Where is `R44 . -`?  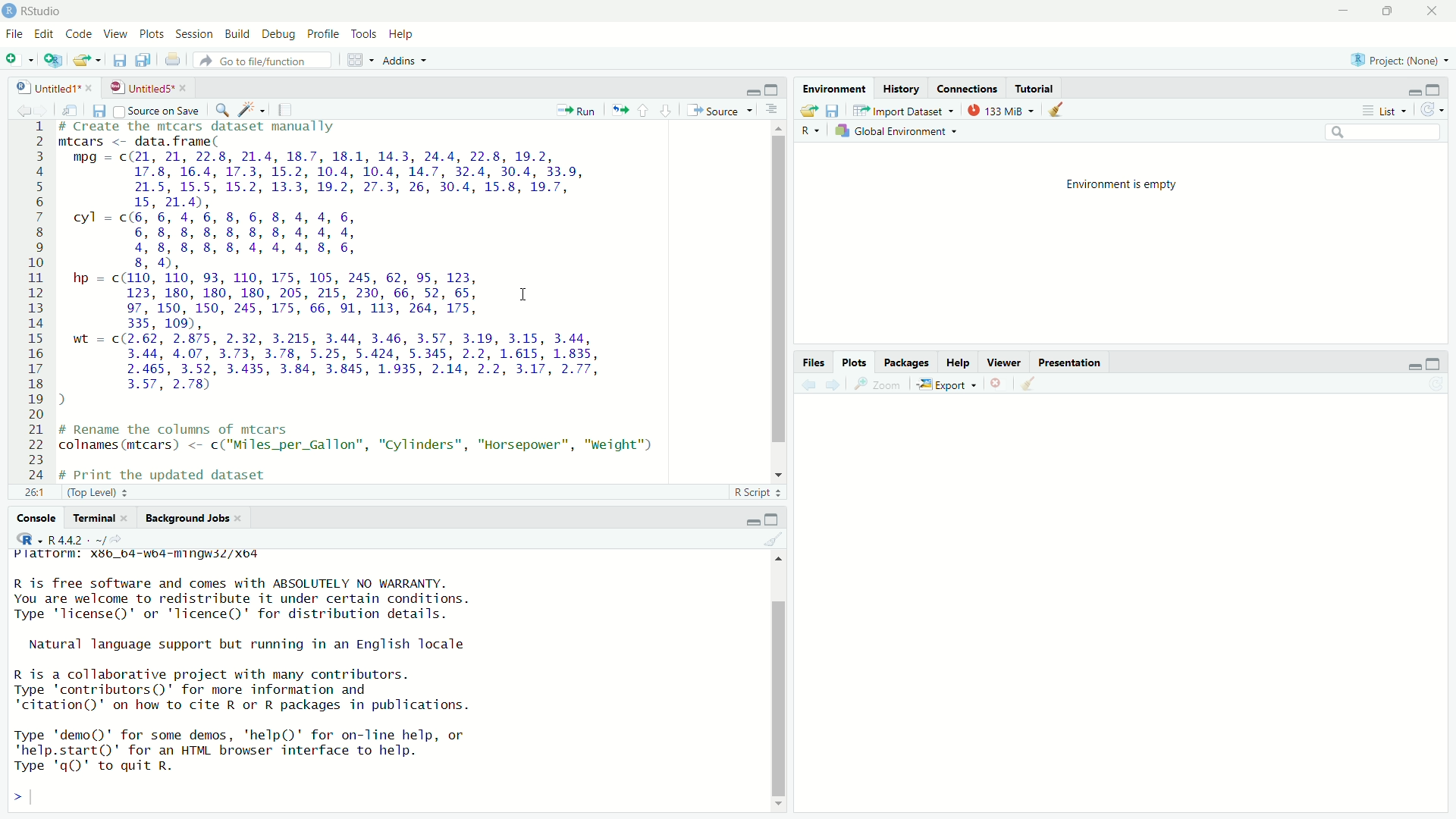
R44 . - is located at coordinates (71, 538).